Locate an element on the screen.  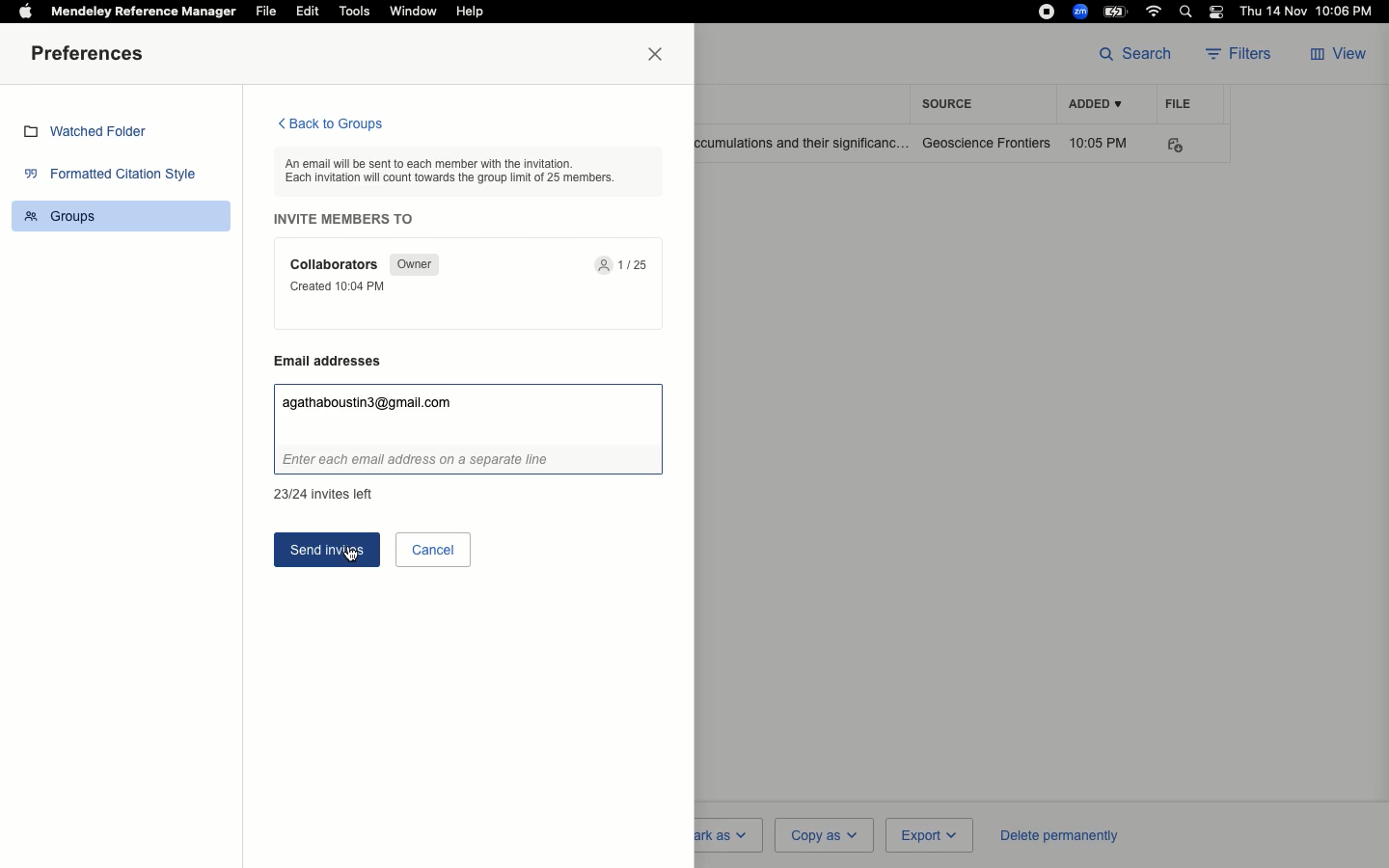
Email address is located at coordinates (338, 361).